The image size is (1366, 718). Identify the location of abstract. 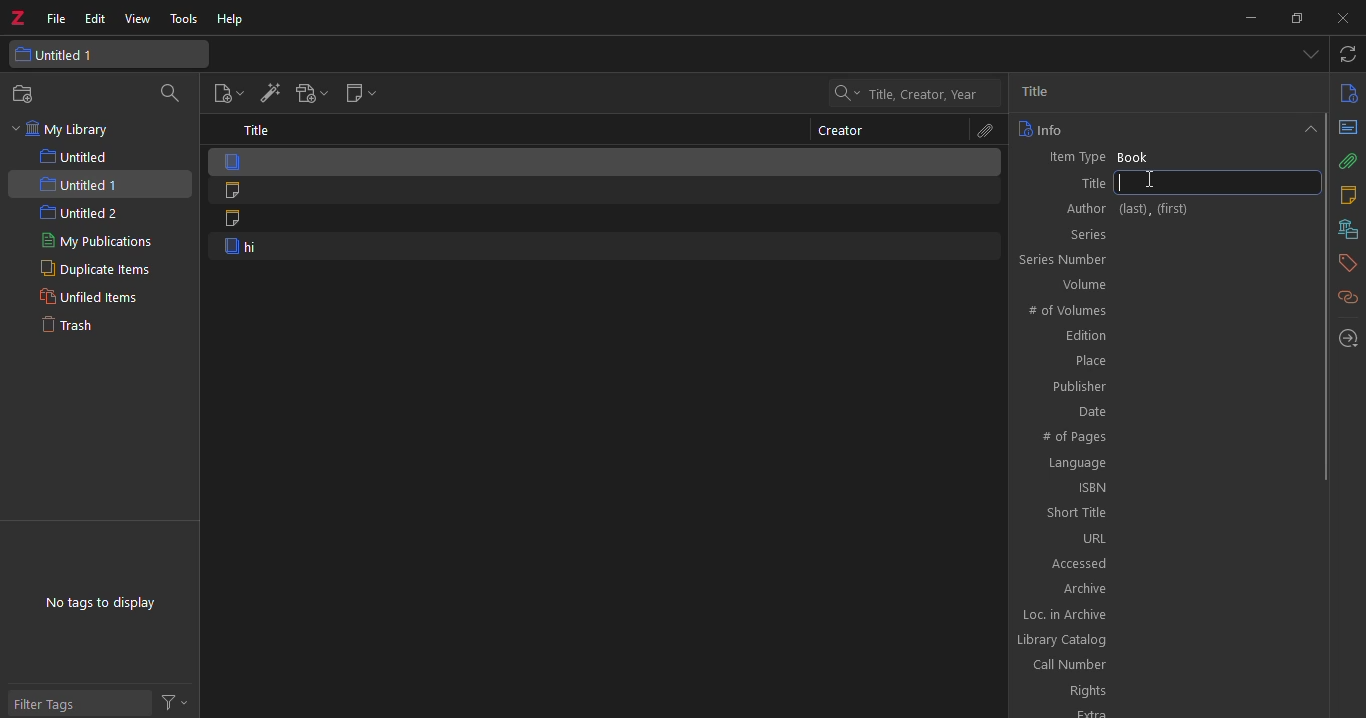
(1348, 127).